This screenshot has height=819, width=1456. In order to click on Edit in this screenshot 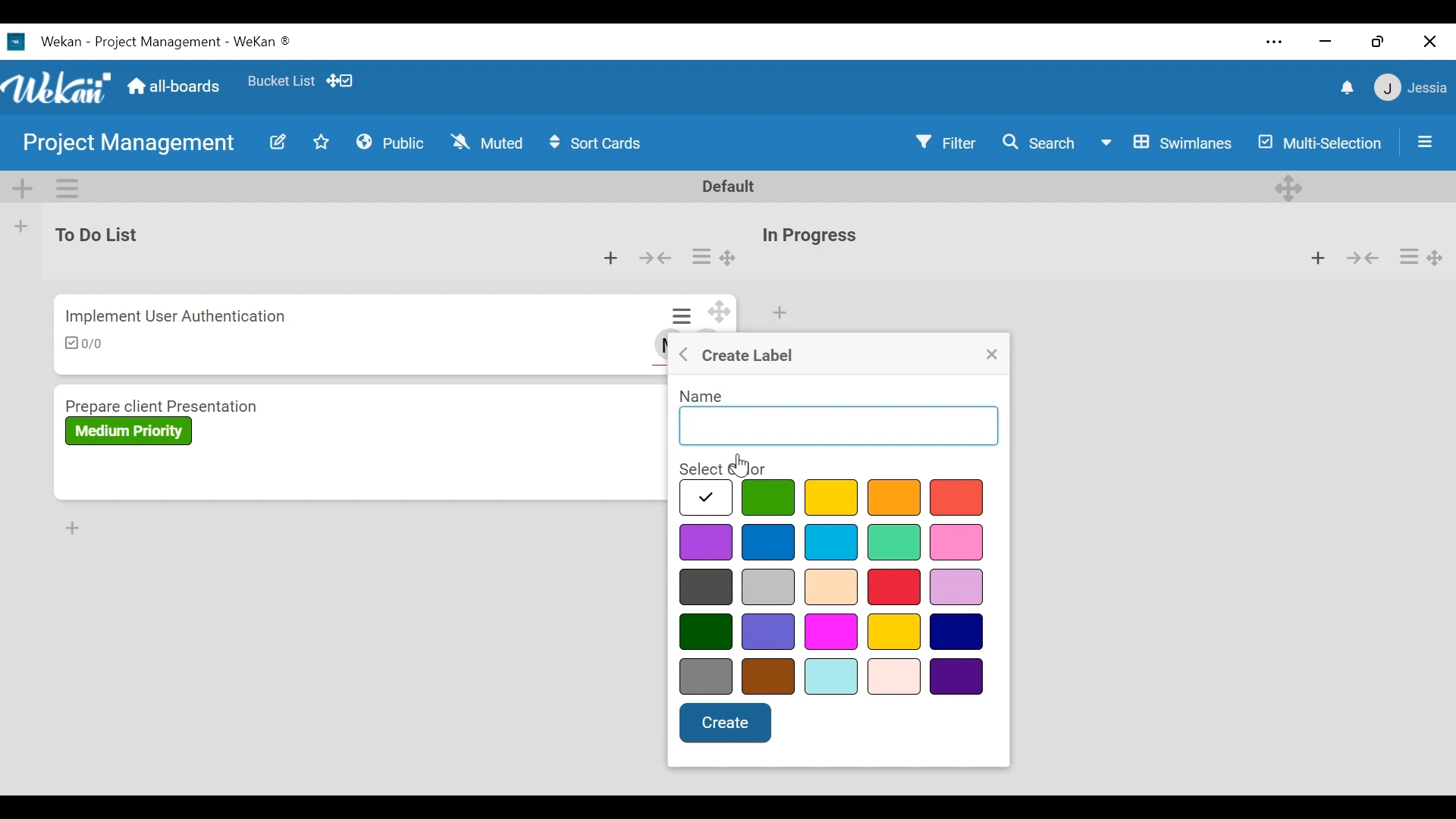, I will do `click(277, 142)`.